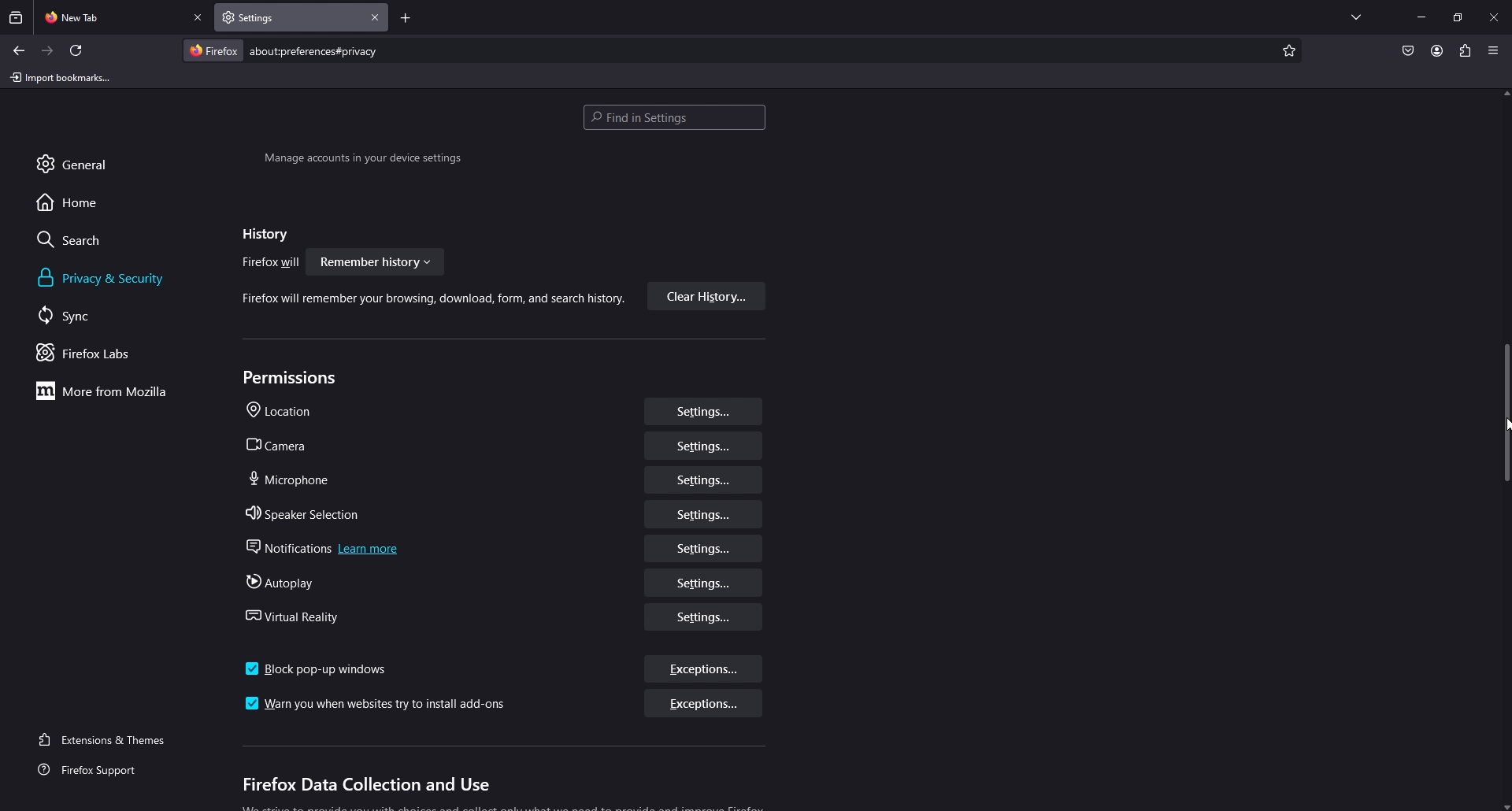  I want to click on settings, so click(705, 513).